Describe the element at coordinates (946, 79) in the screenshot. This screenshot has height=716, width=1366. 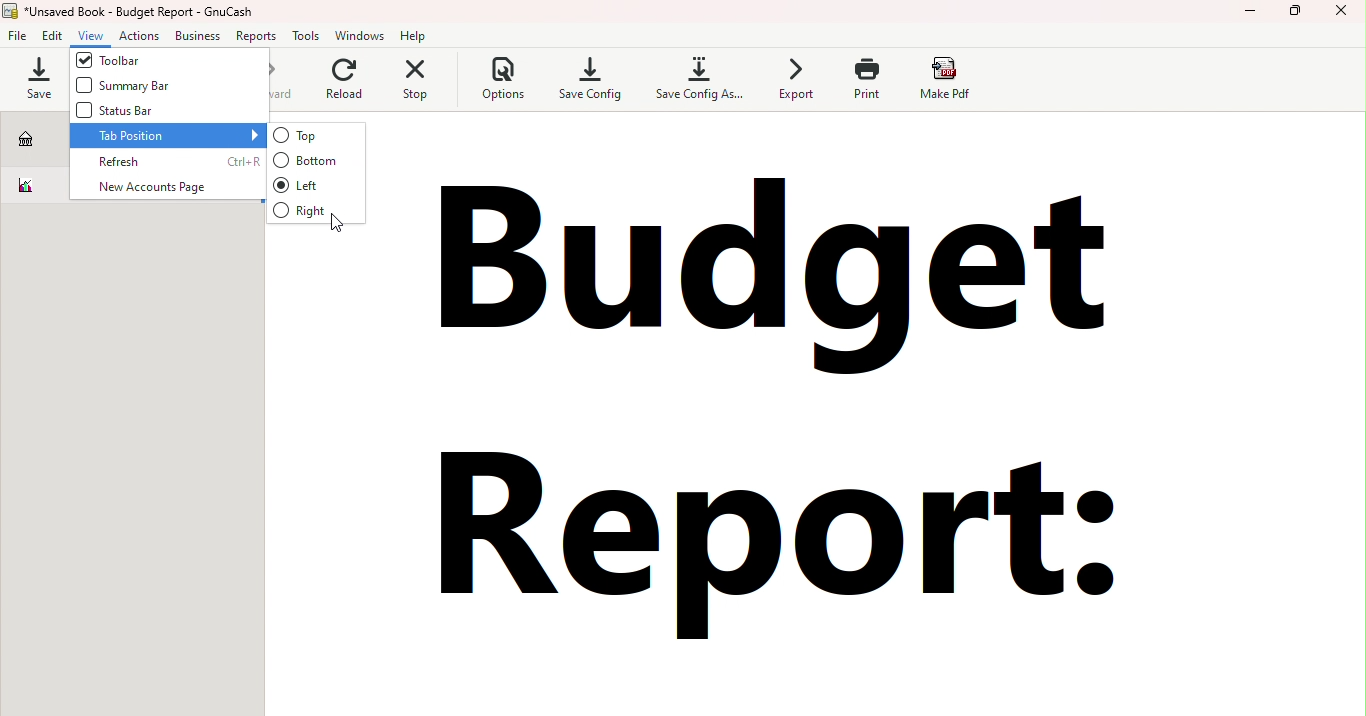
I see `Make pdf` at that location.